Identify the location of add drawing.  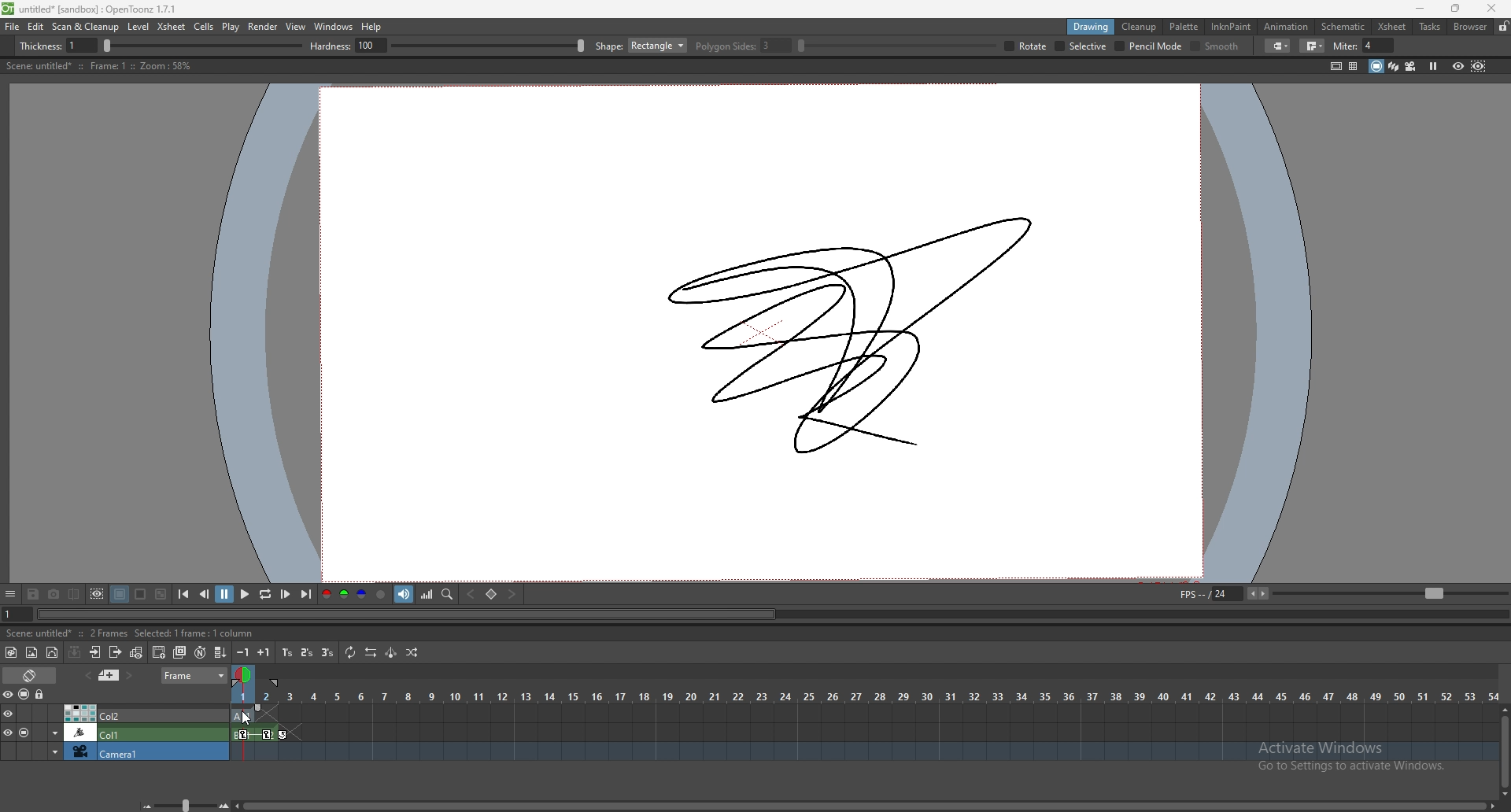
(160, 651).